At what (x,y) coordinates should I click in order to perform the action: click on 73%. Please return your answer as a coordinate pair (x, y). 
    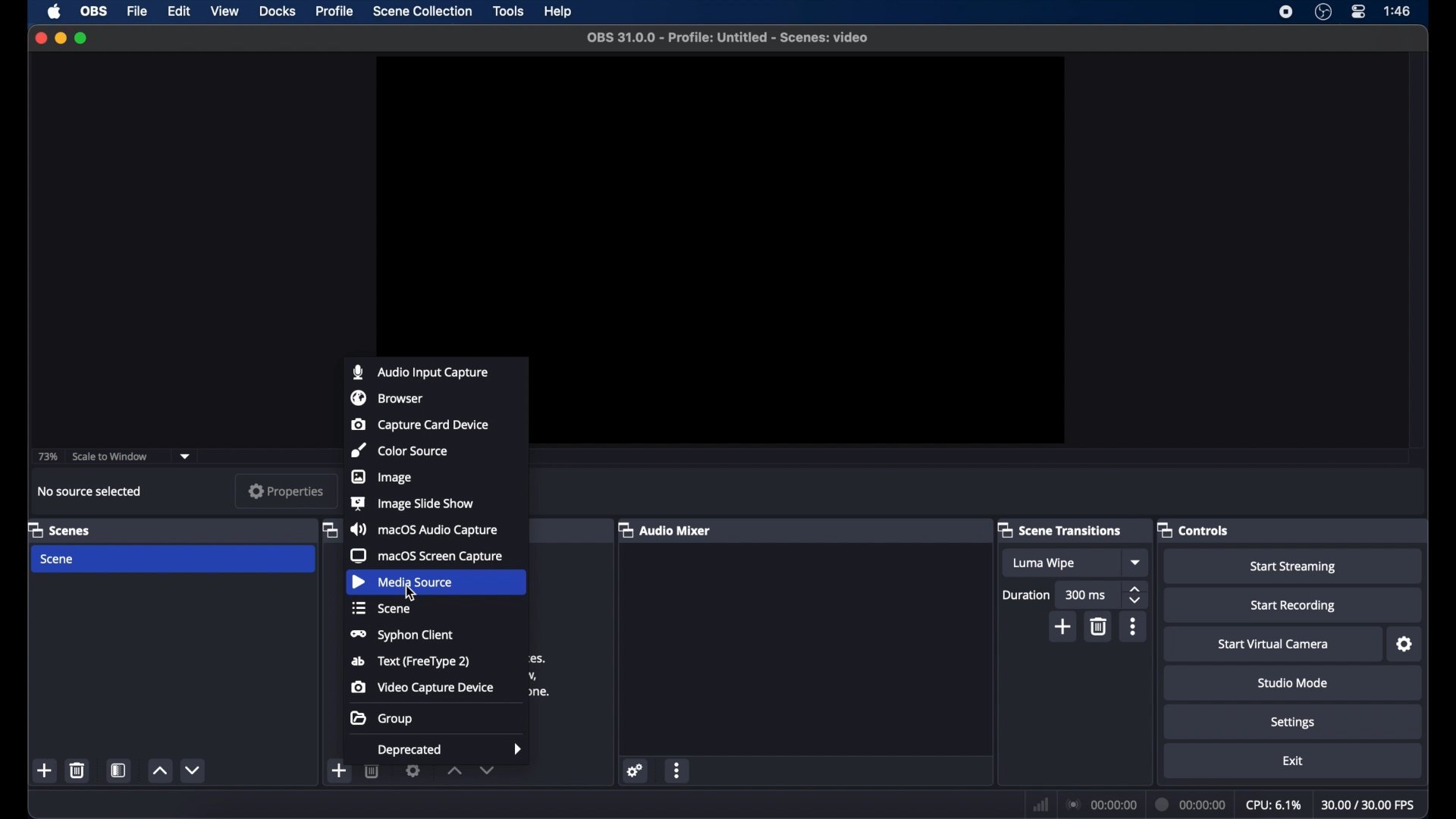
    Looking at the image, I should click on (49, 457).